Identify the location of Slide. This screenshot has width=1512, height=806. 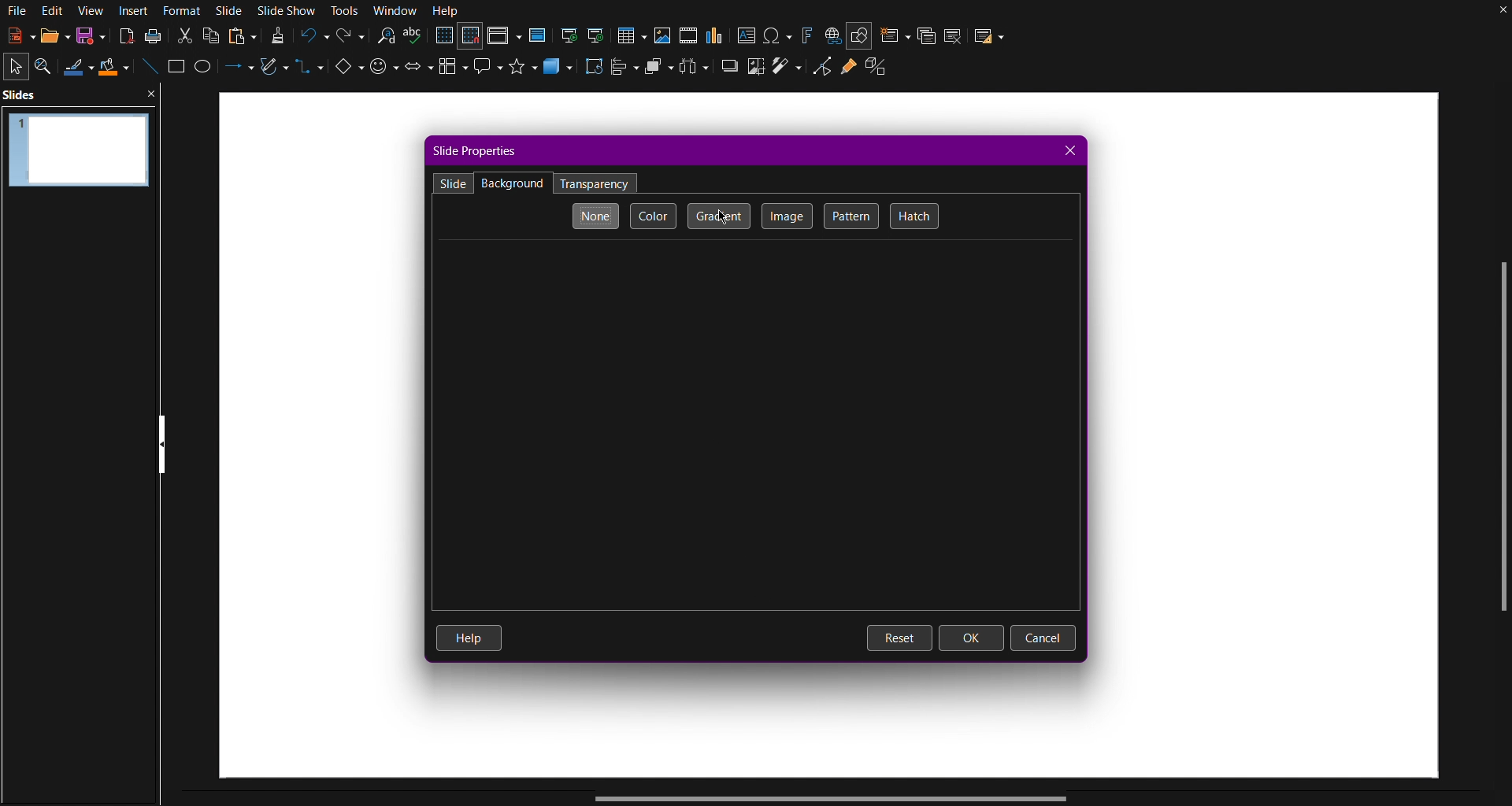
(454, 183).